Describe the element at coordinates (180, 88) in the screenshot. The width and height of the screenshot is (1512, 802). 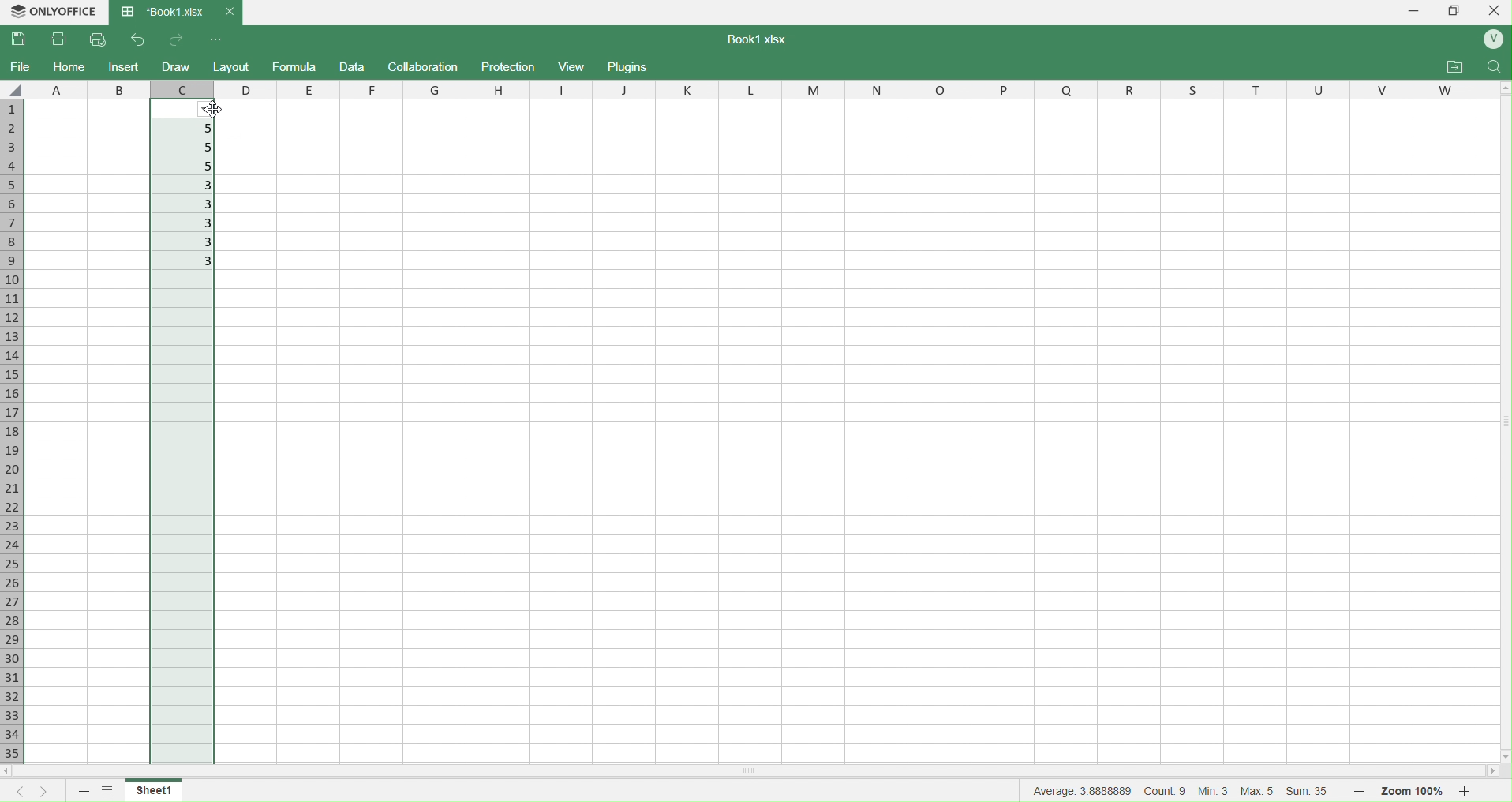
I see `c` at that location.